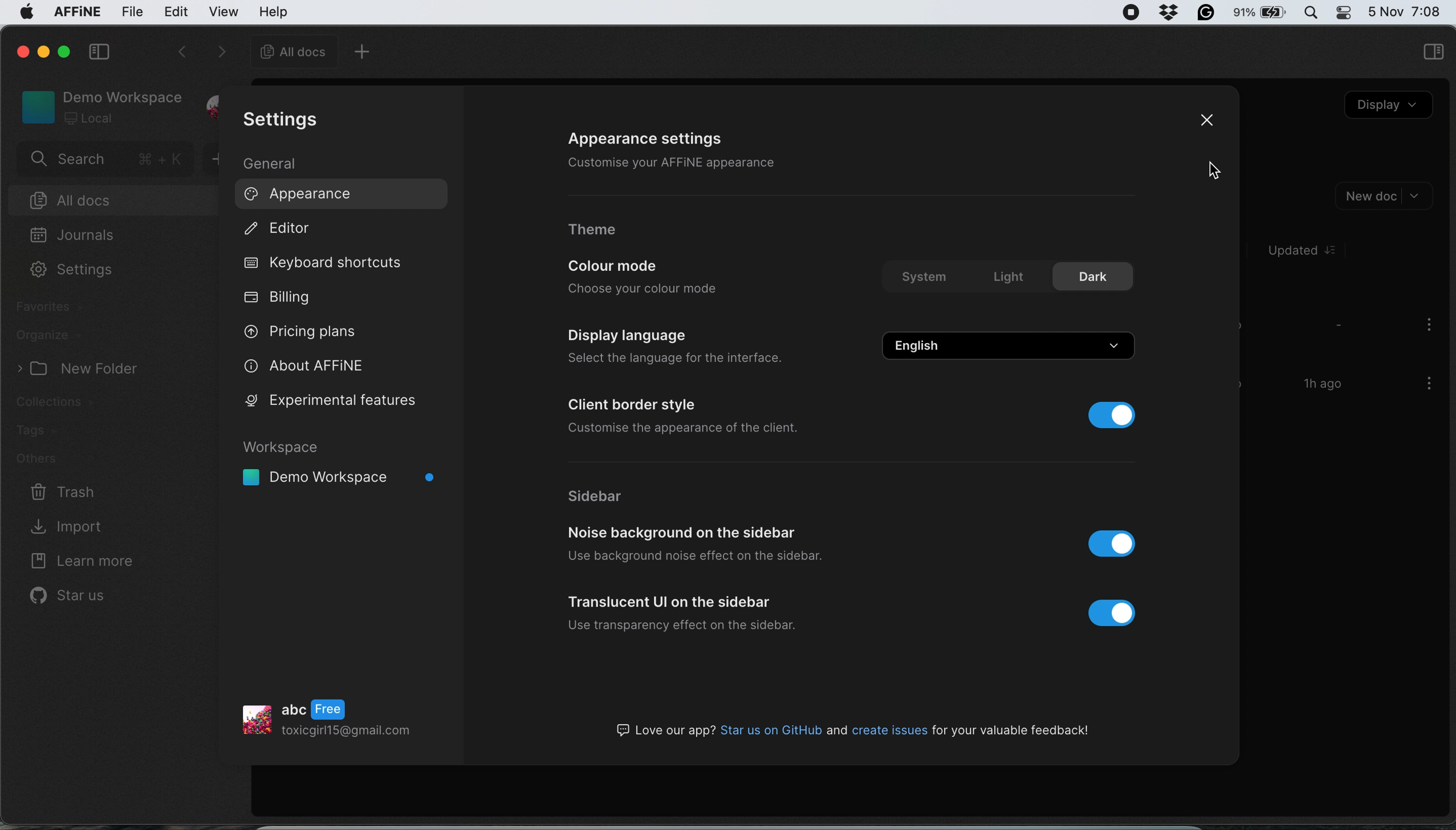 The height and width of the screenshot is (830, 1456). What do you see at coordinates (1424, 386) in the screenshot?
I see `more options` at bounding box center [1424, 386].